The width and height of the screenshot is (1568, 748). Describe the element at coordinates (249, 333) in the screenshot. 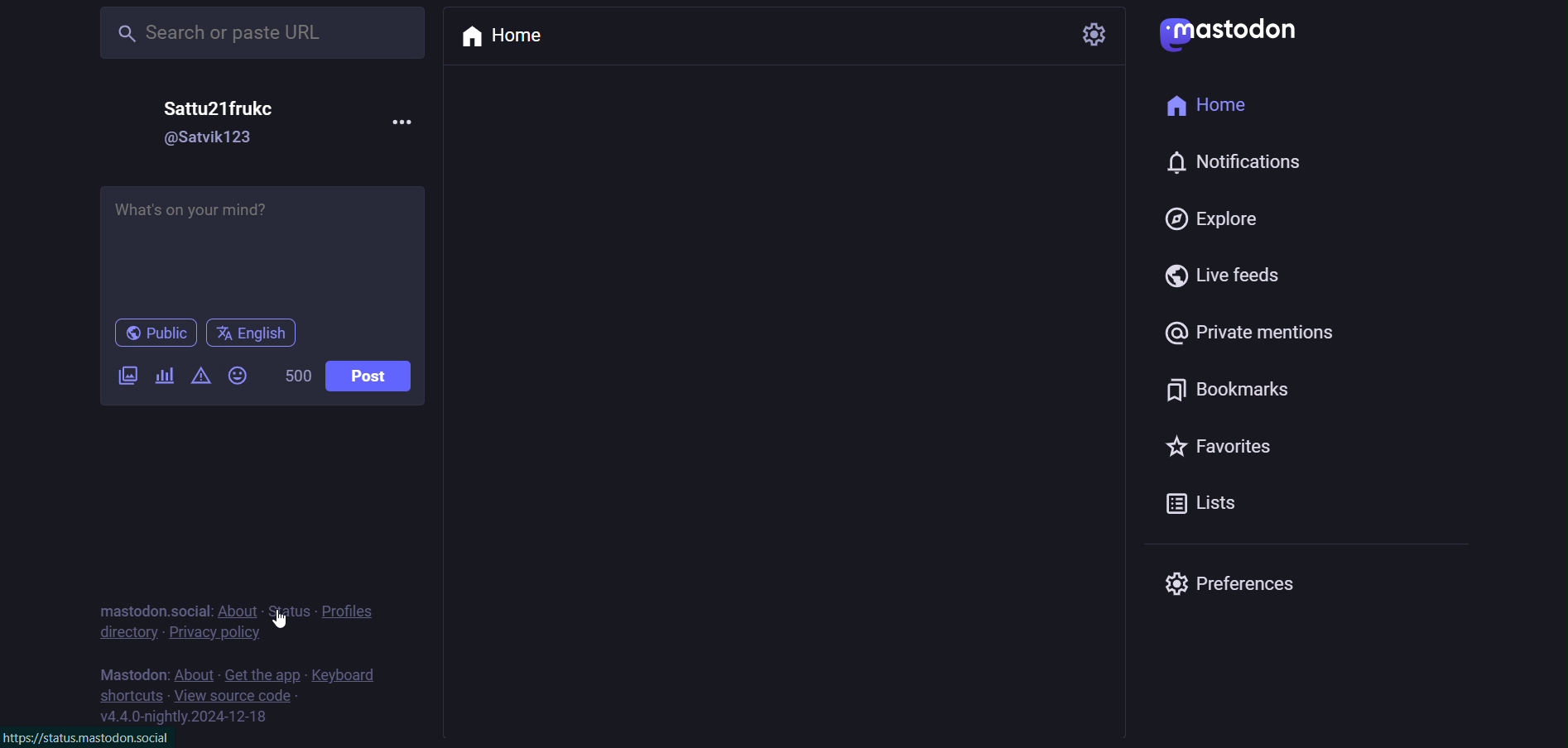

I see `english` at that location.